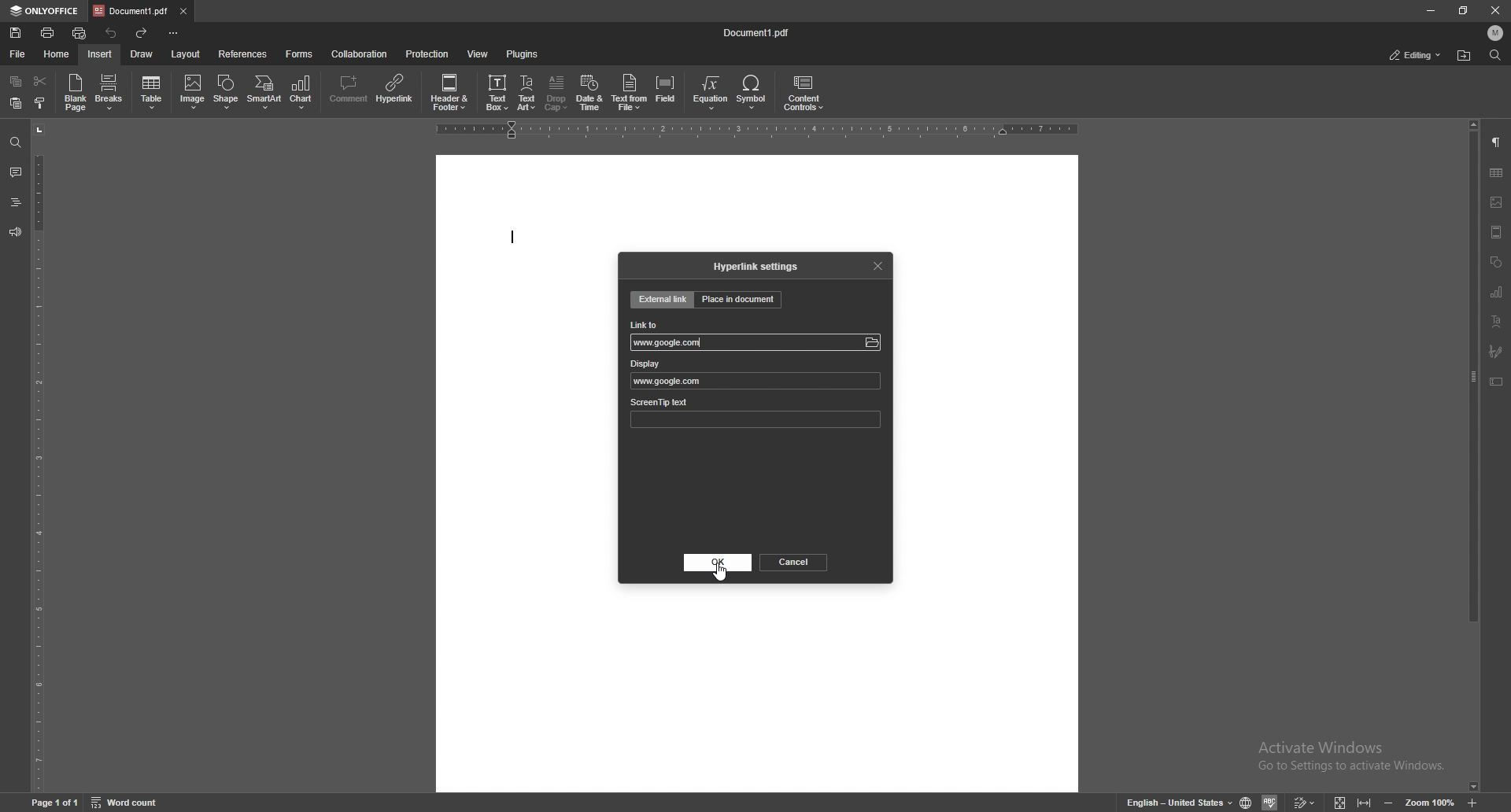 The width and height of the screenshot is (1511, 812). I want to click on image, so click(1497, 202).